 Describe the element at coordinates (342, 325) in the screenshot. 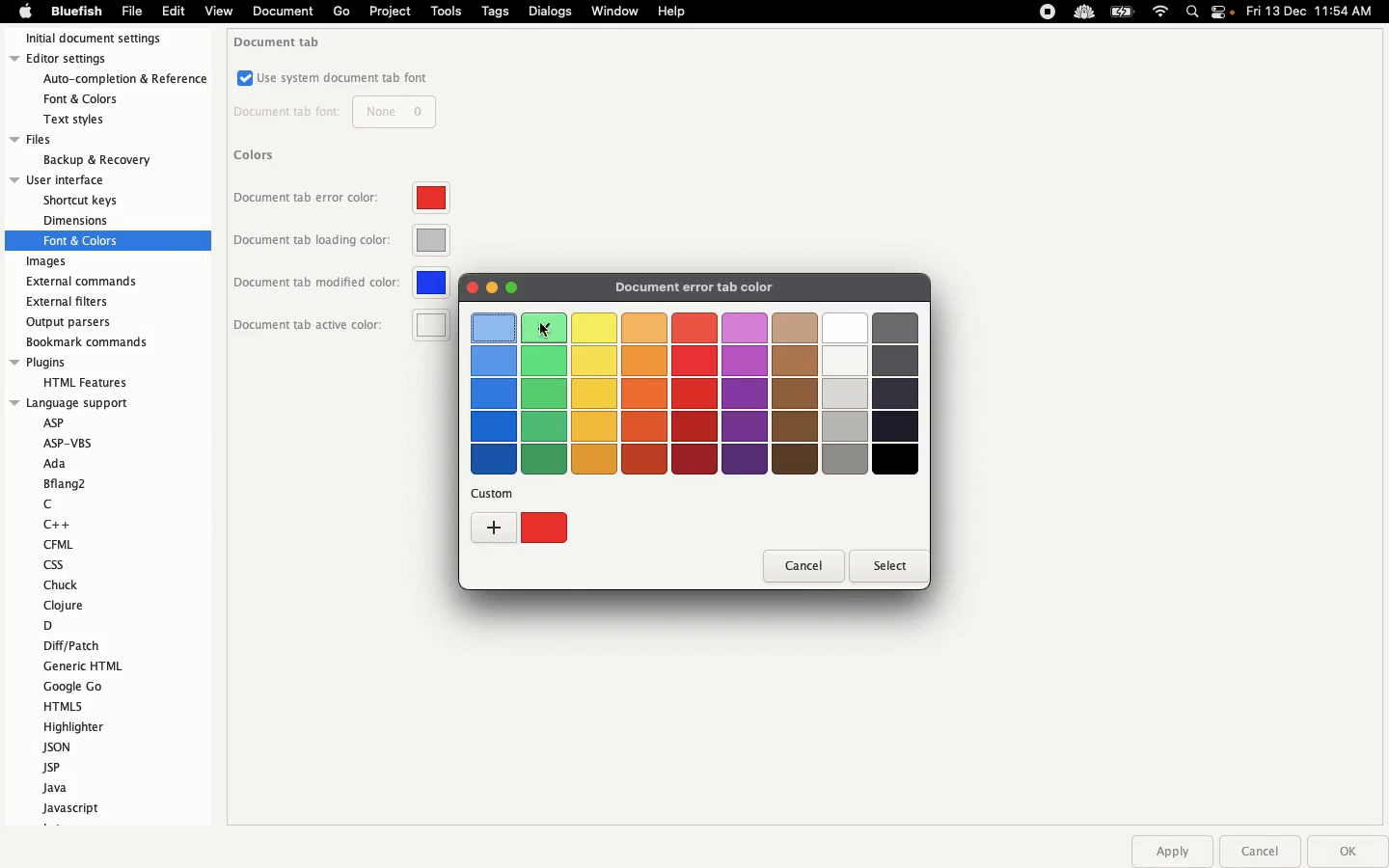

I see `Document tab active color` at that location.